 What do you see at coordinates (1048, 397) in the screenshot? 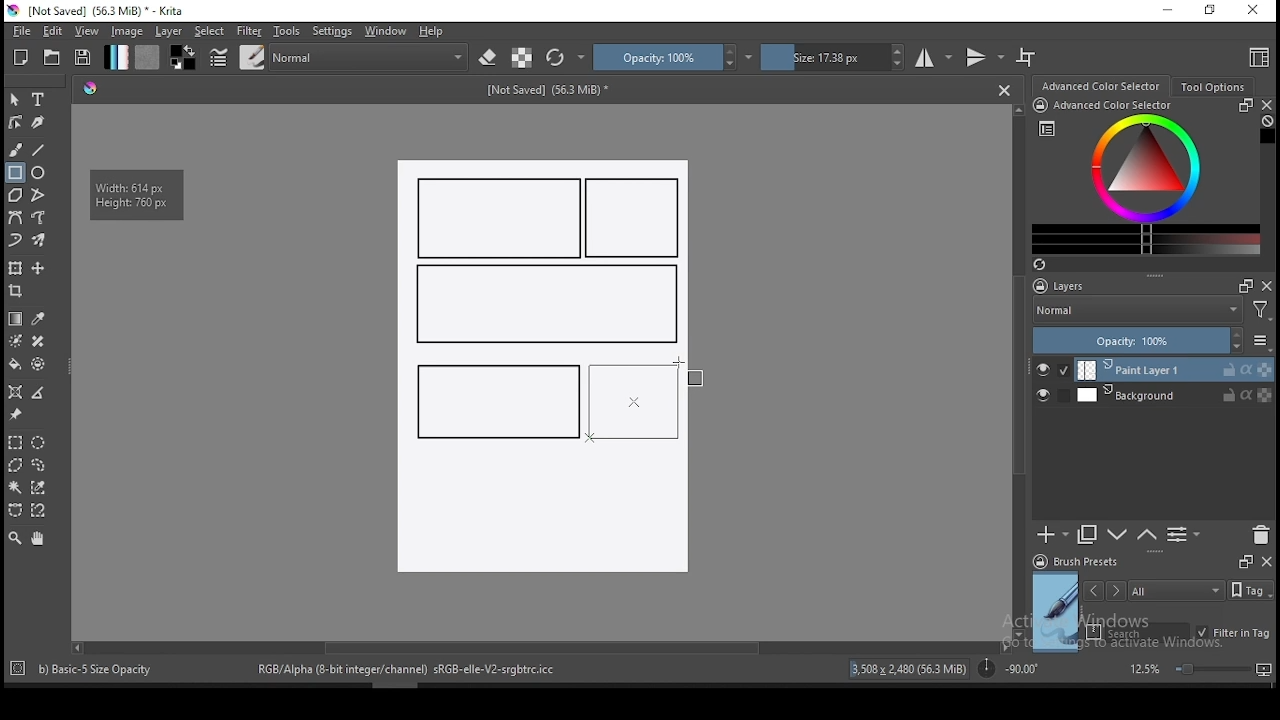
I see `layer visibility on/off` at bounding box center [1048, 397].